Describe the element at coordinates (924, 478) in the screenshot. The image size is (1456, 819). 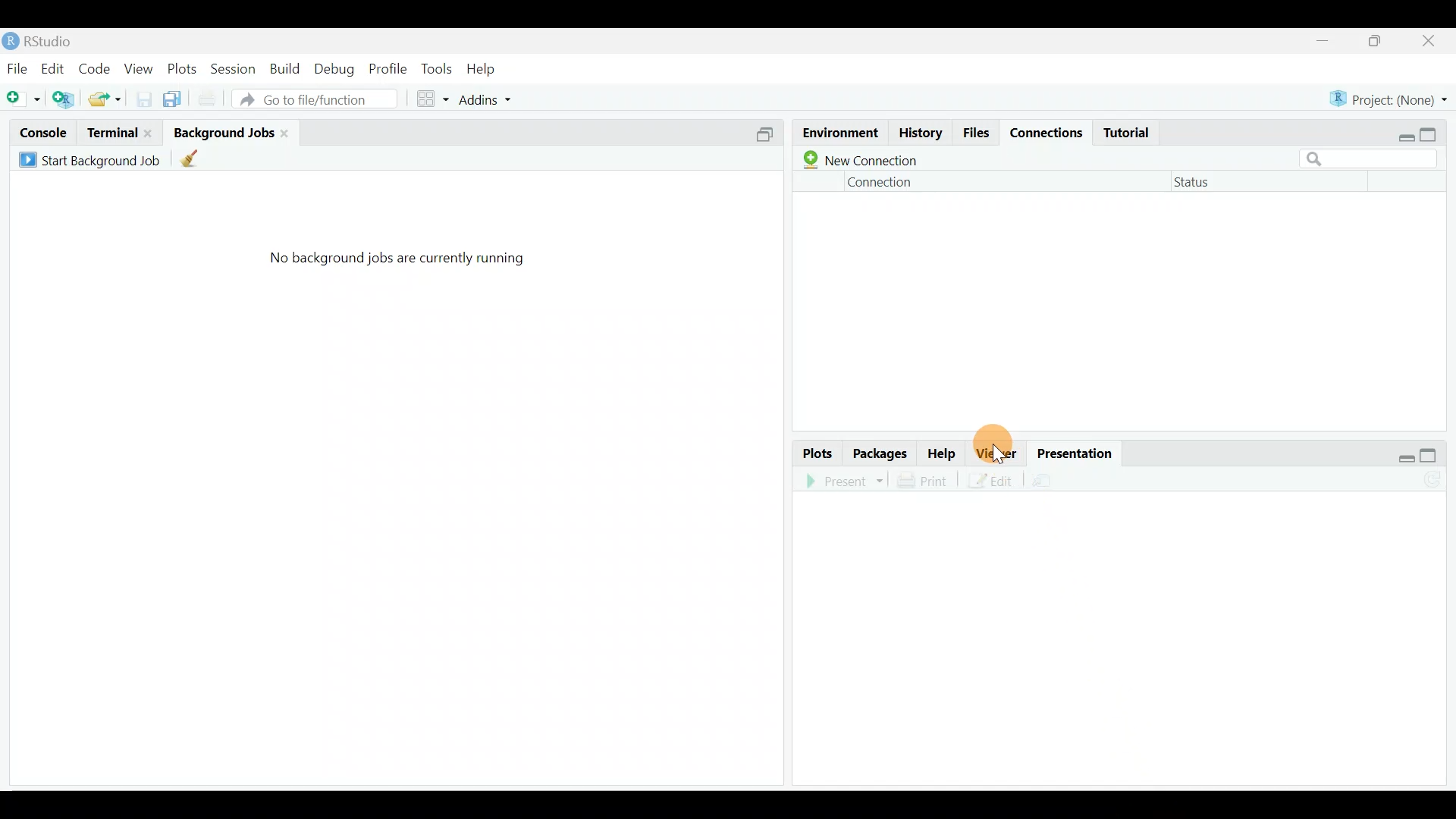
I see `Print` at that location.